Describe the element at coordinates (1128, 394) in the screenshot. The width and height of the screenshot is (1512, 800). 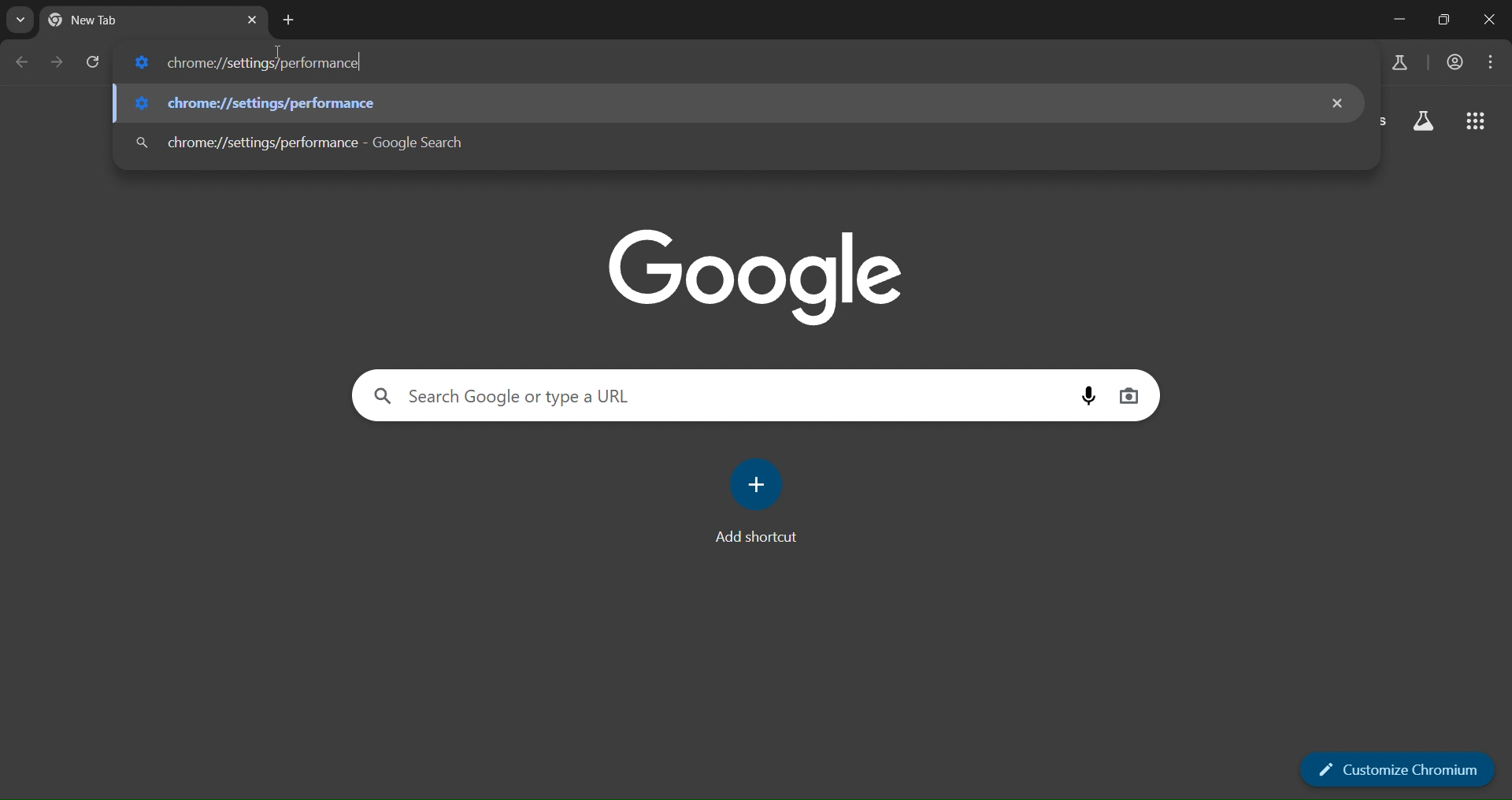
I see `image search` at that location.